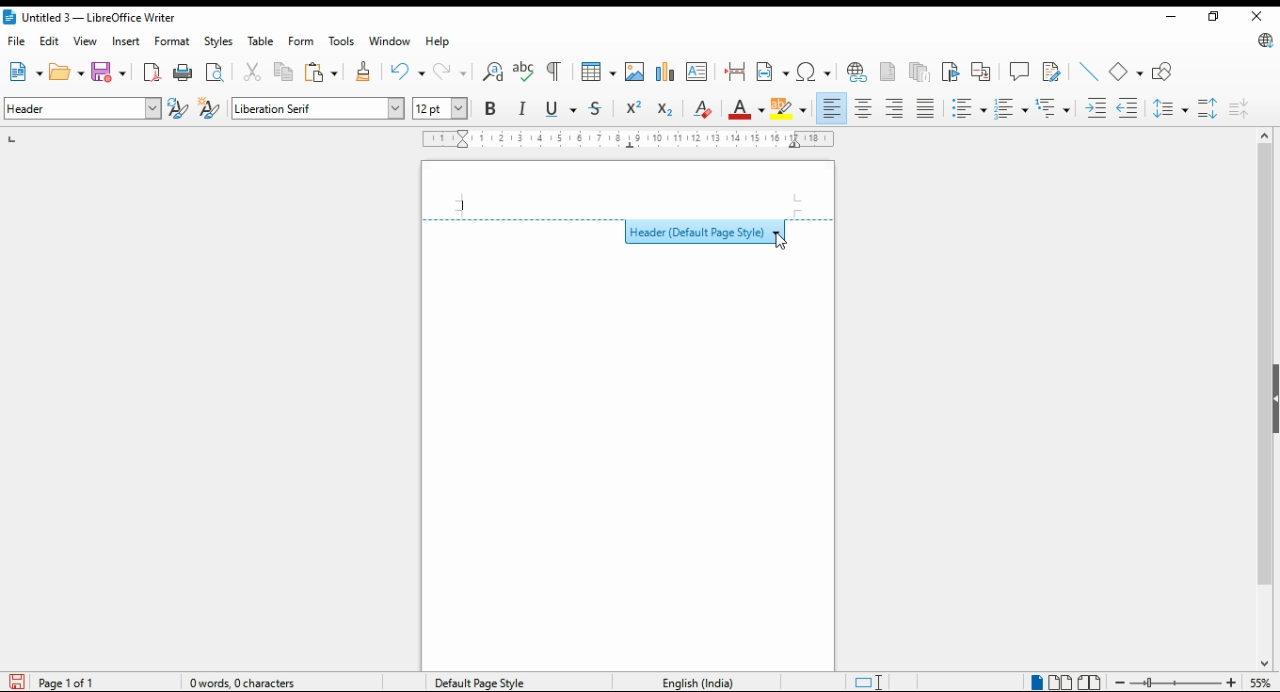  Describe the element at coordinates (125, 41) in the screenshot. I see `insert` at that location.